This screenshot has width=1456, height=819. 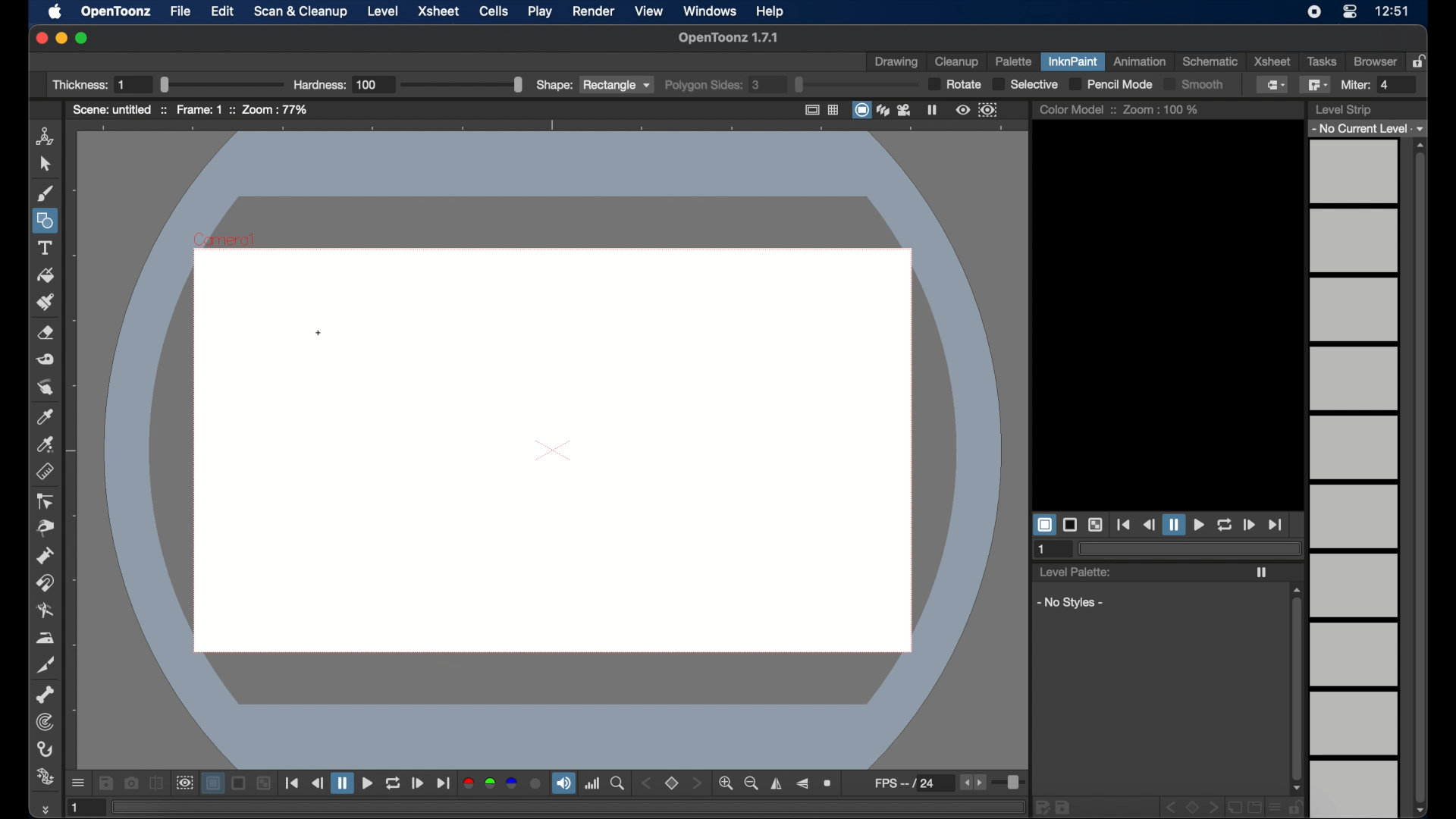 I want to click on play, so click(x=541, y=11).